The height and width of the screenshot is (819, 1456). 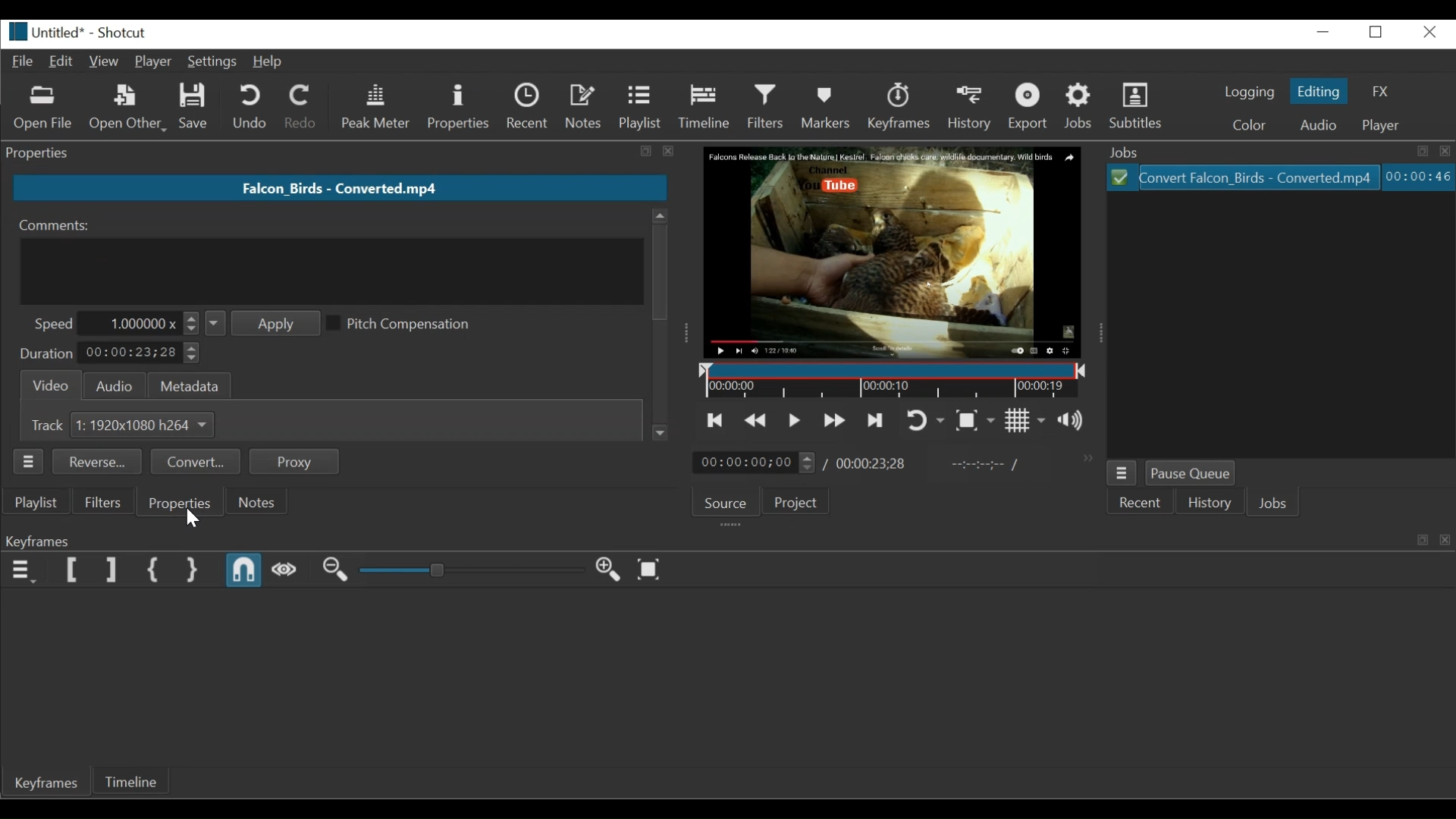 What do you see at coordinates (661, 271) in the screenshot?
I see `Vertical Scroll bar` at bounding box center [661, 271].